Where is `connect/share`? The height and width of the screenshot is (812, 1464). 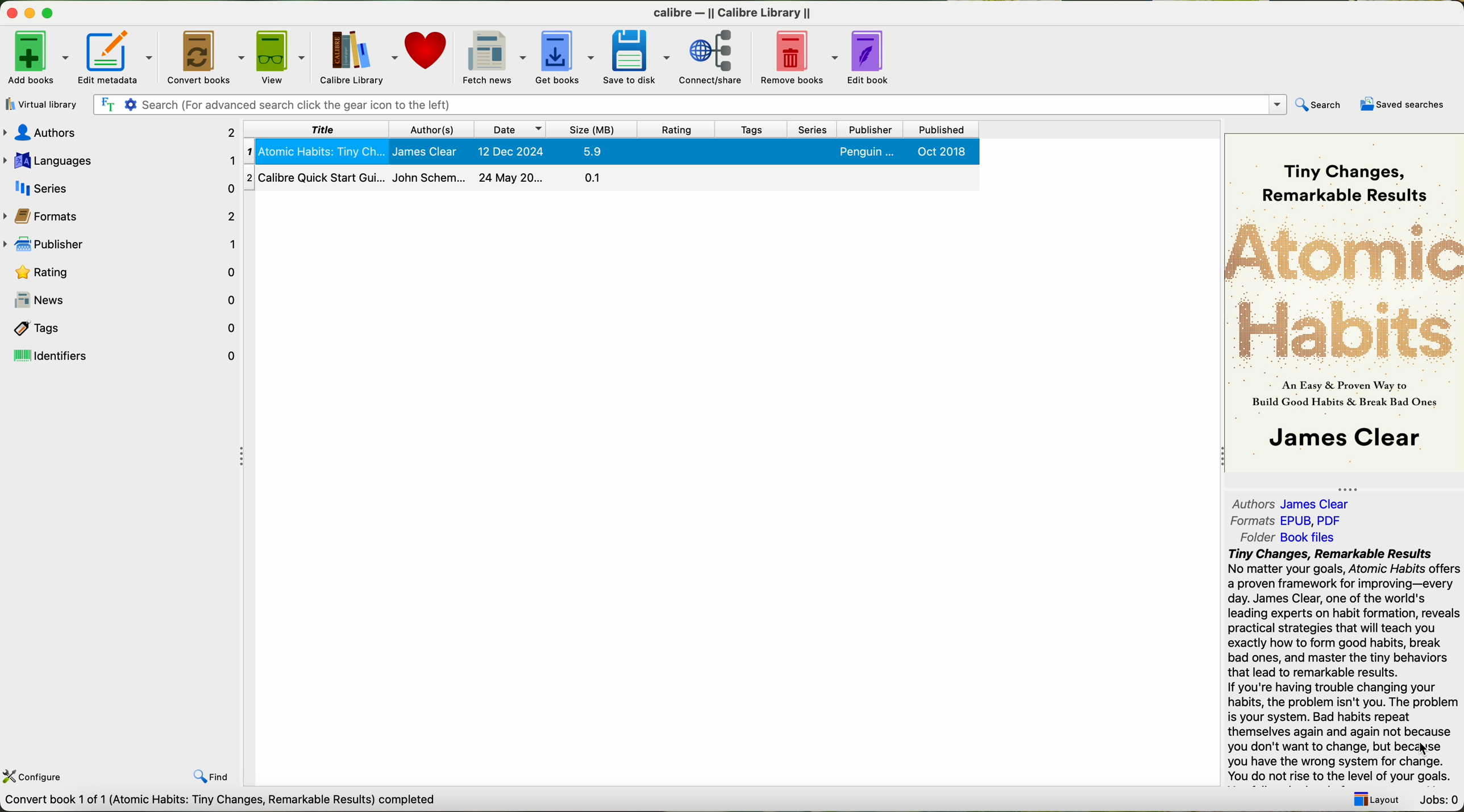 connect/share is located at coordinates (713, 58).